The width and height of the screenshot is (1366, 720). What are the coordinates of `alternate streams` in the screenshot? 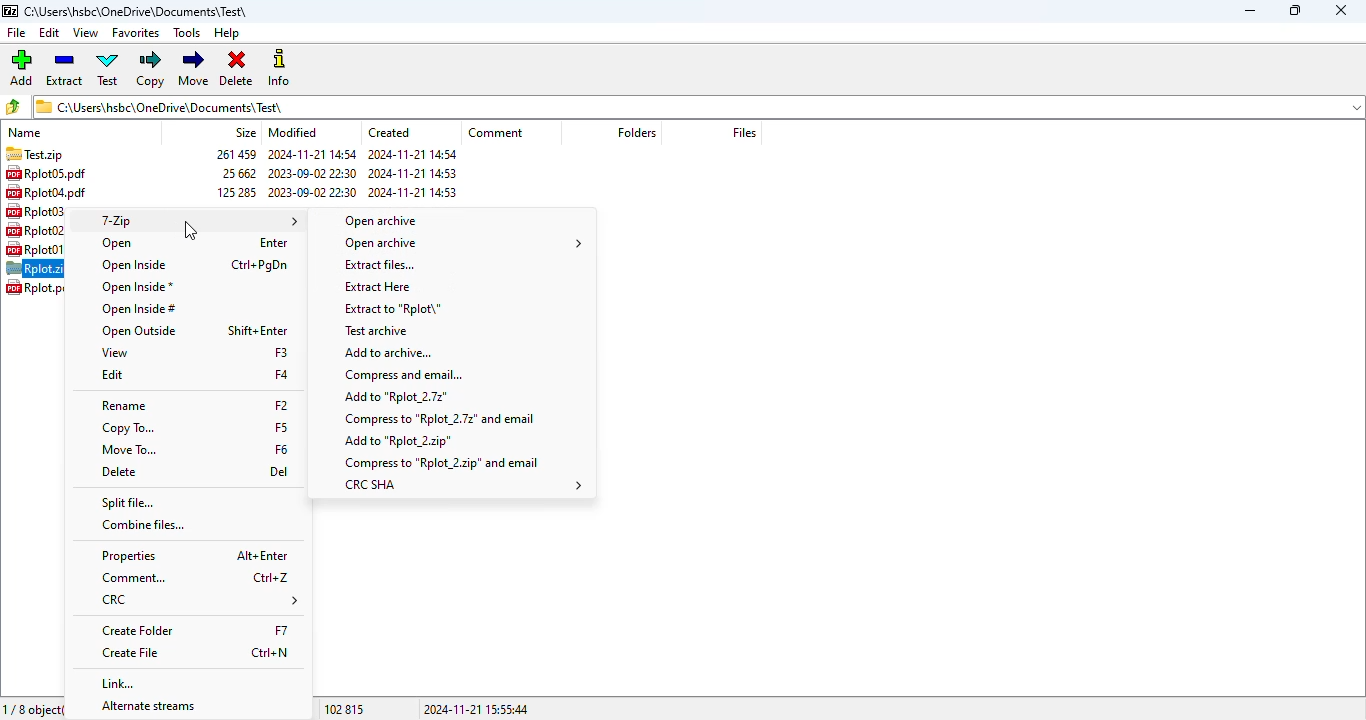 It's located at (147, 706).